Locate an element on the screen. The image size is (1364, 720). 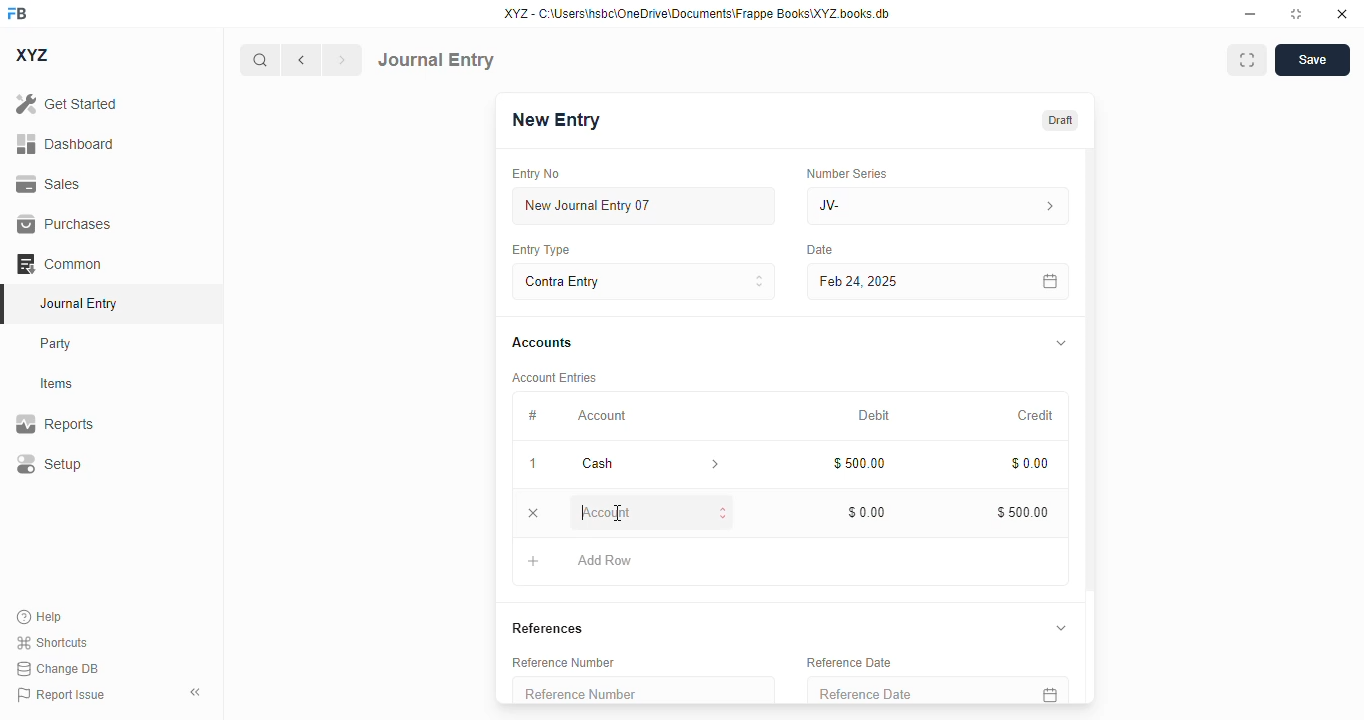
accounts is located at coordinates (542, 344).